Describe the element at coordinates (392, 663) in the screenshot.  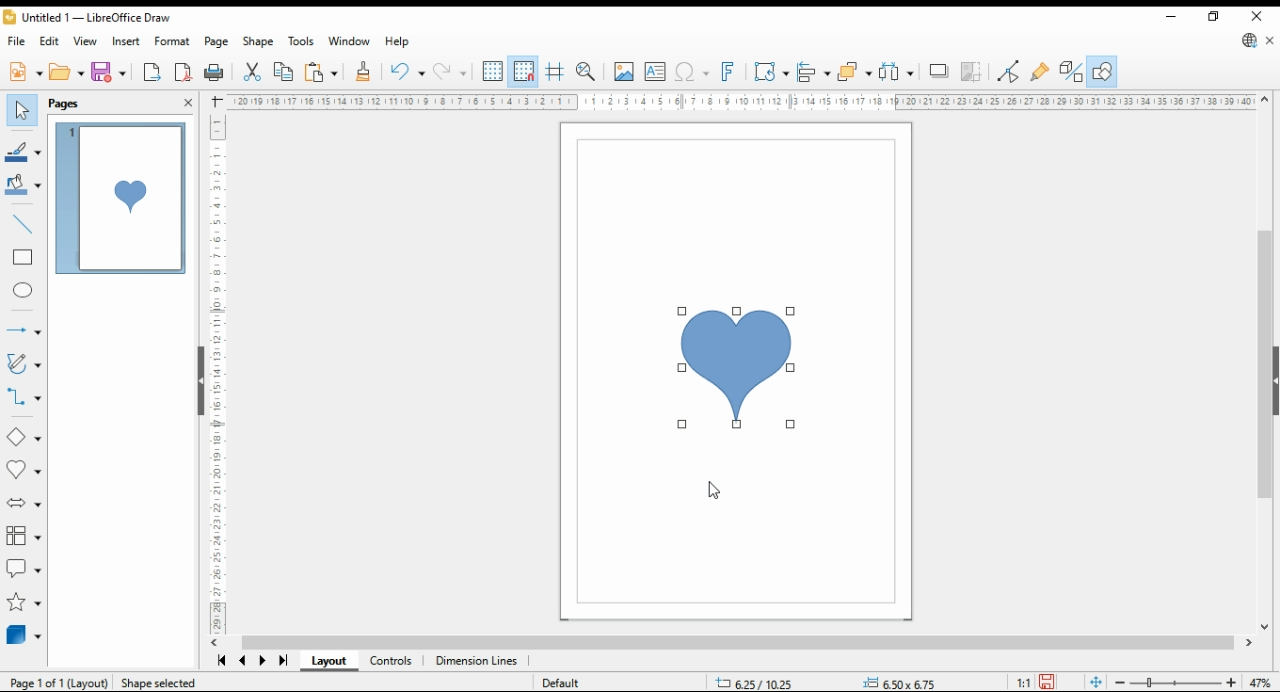
I see `controls` at that location.